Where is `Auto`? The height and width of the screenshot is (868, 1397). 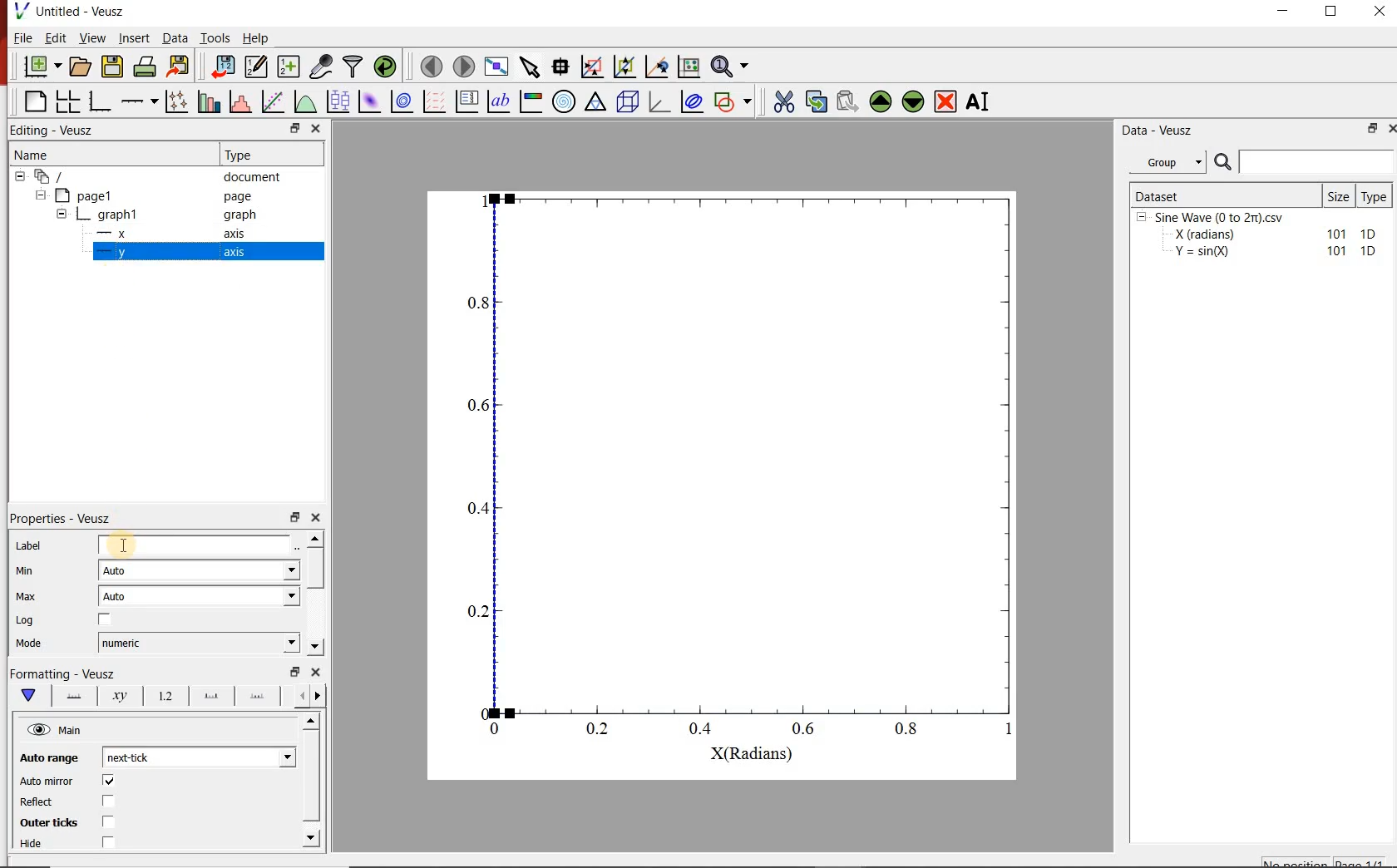 Auto is located at coordinates (200, 571).